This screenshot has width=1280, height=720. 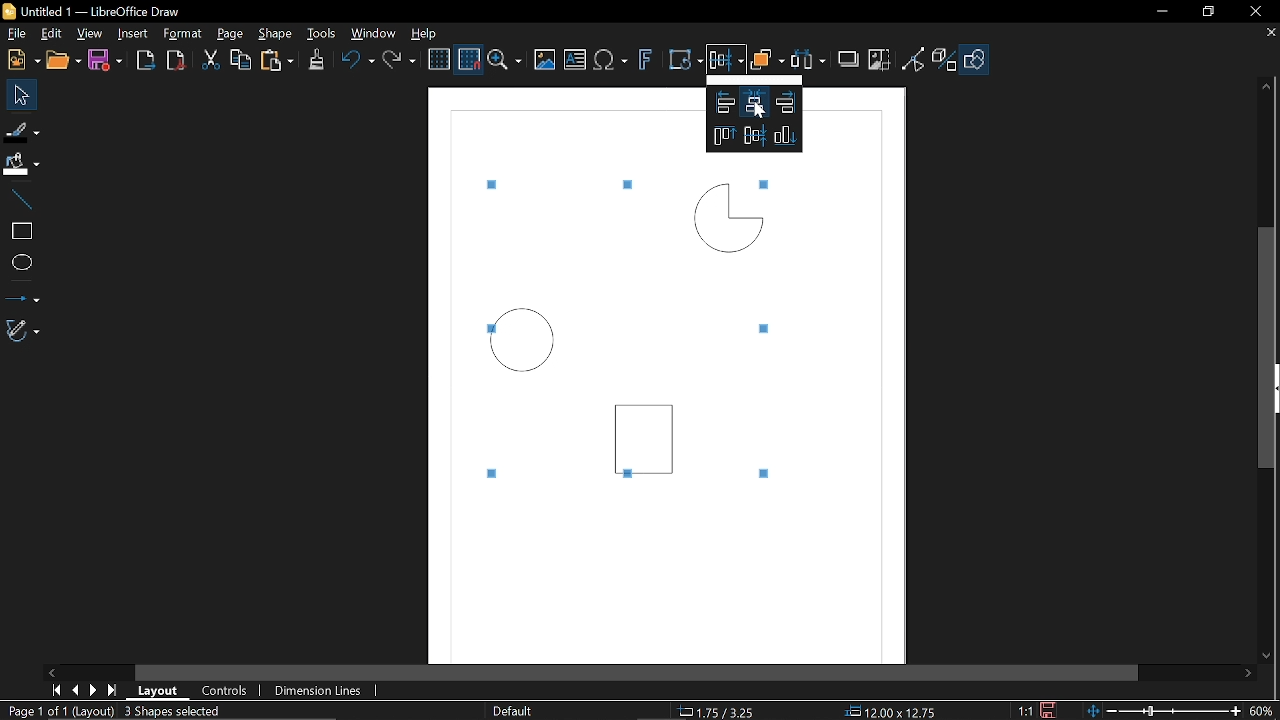 I want to click on 1:1 (Scaling factor), so click(x=1024, y=709).